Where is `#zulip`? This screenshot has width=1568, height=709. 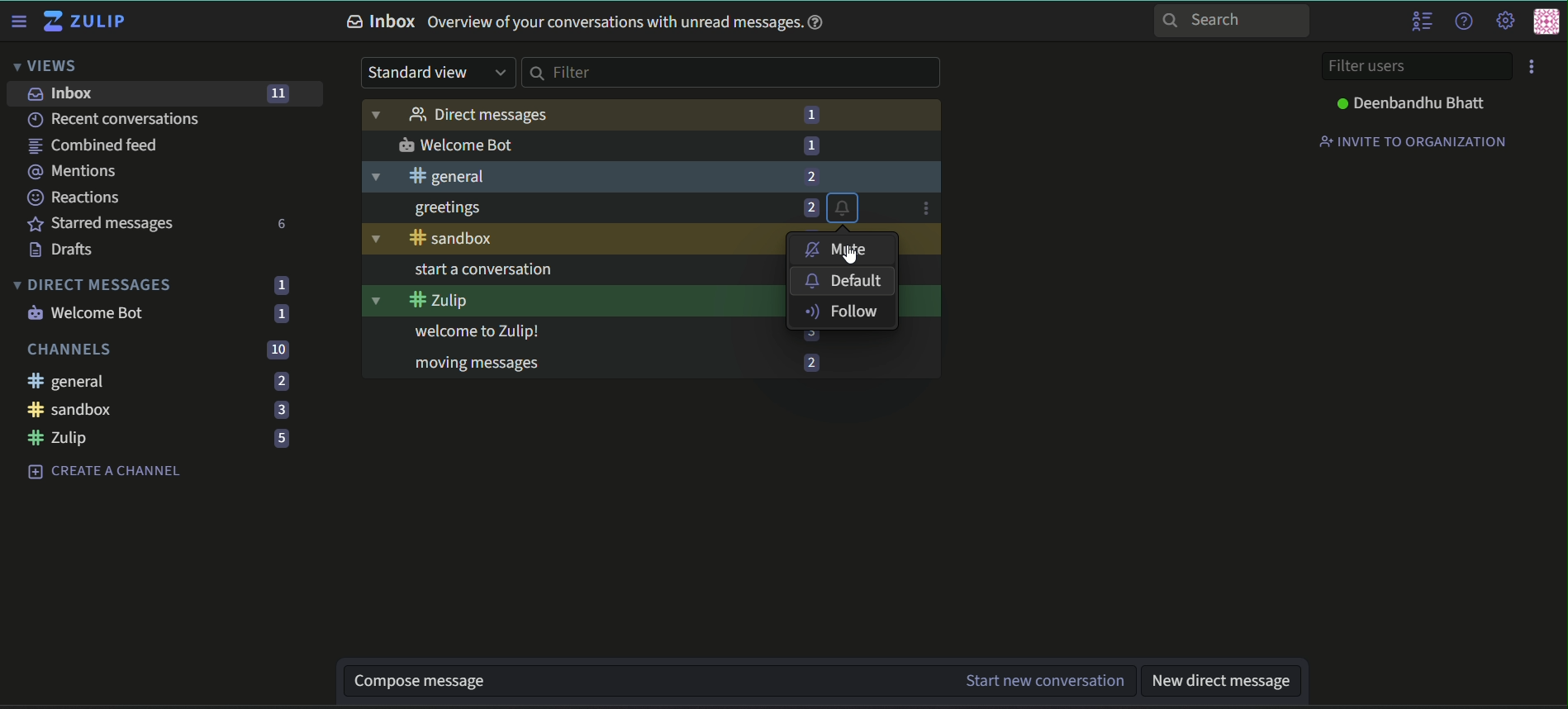 #zulip is located at coordinates (572, 300).